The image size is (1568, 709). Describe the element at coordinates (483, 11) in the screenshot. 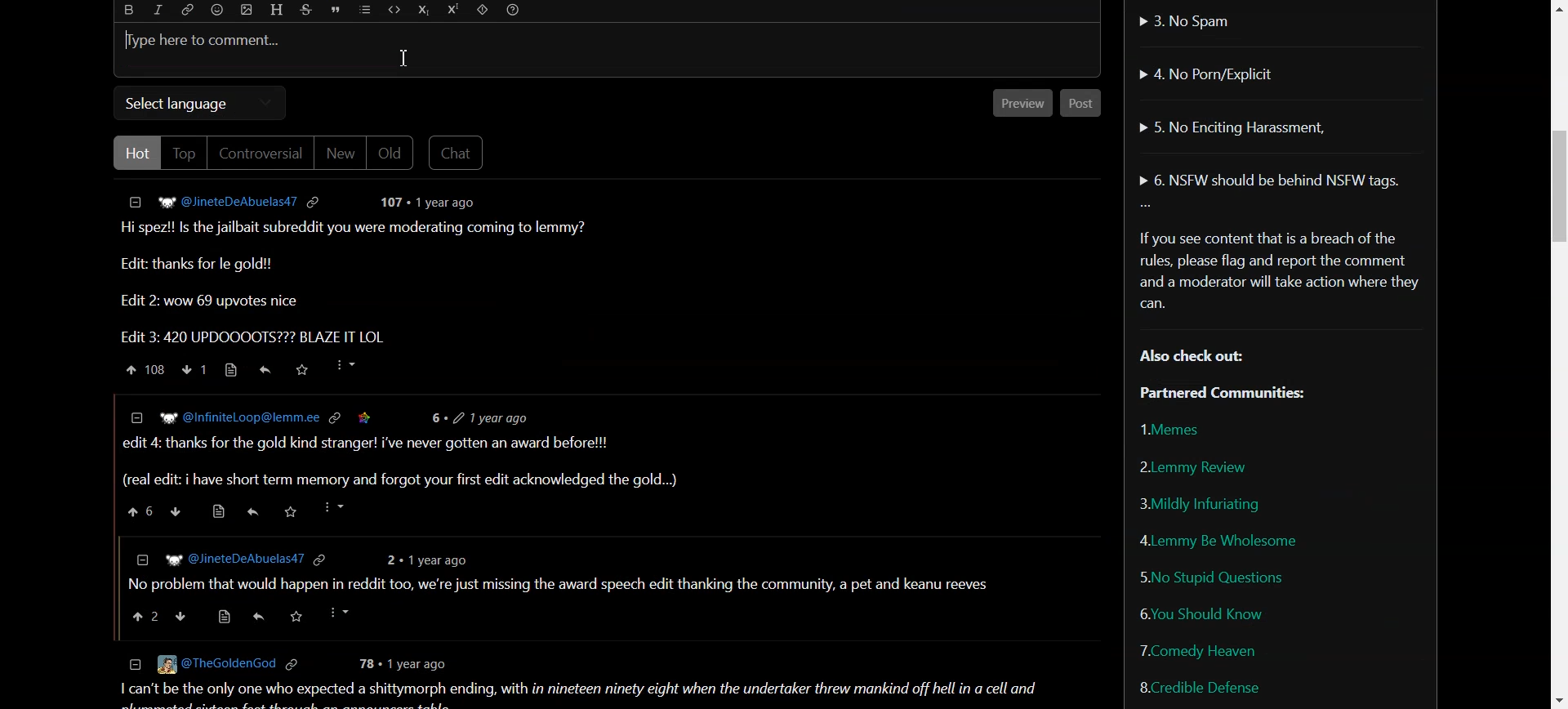

I see `Spoiler` at that location.